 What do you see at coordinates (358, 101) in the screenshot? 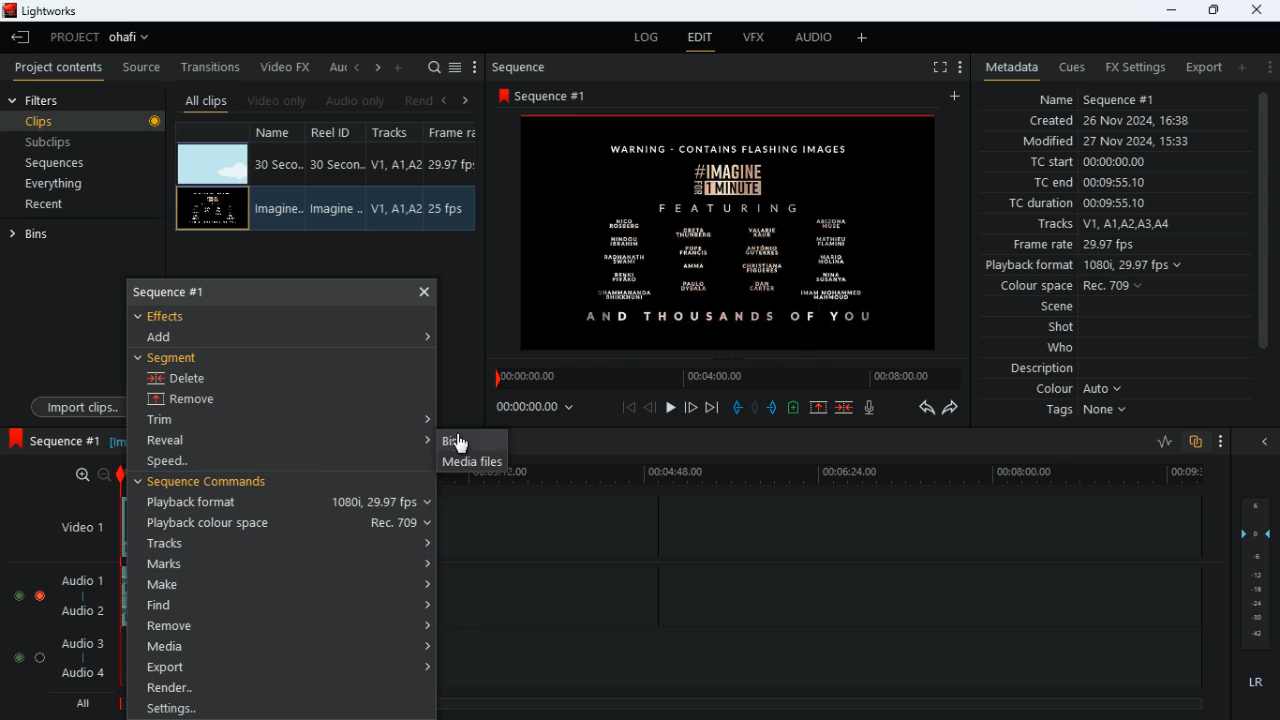
I see `audio only` at bounding box center [358, 101].